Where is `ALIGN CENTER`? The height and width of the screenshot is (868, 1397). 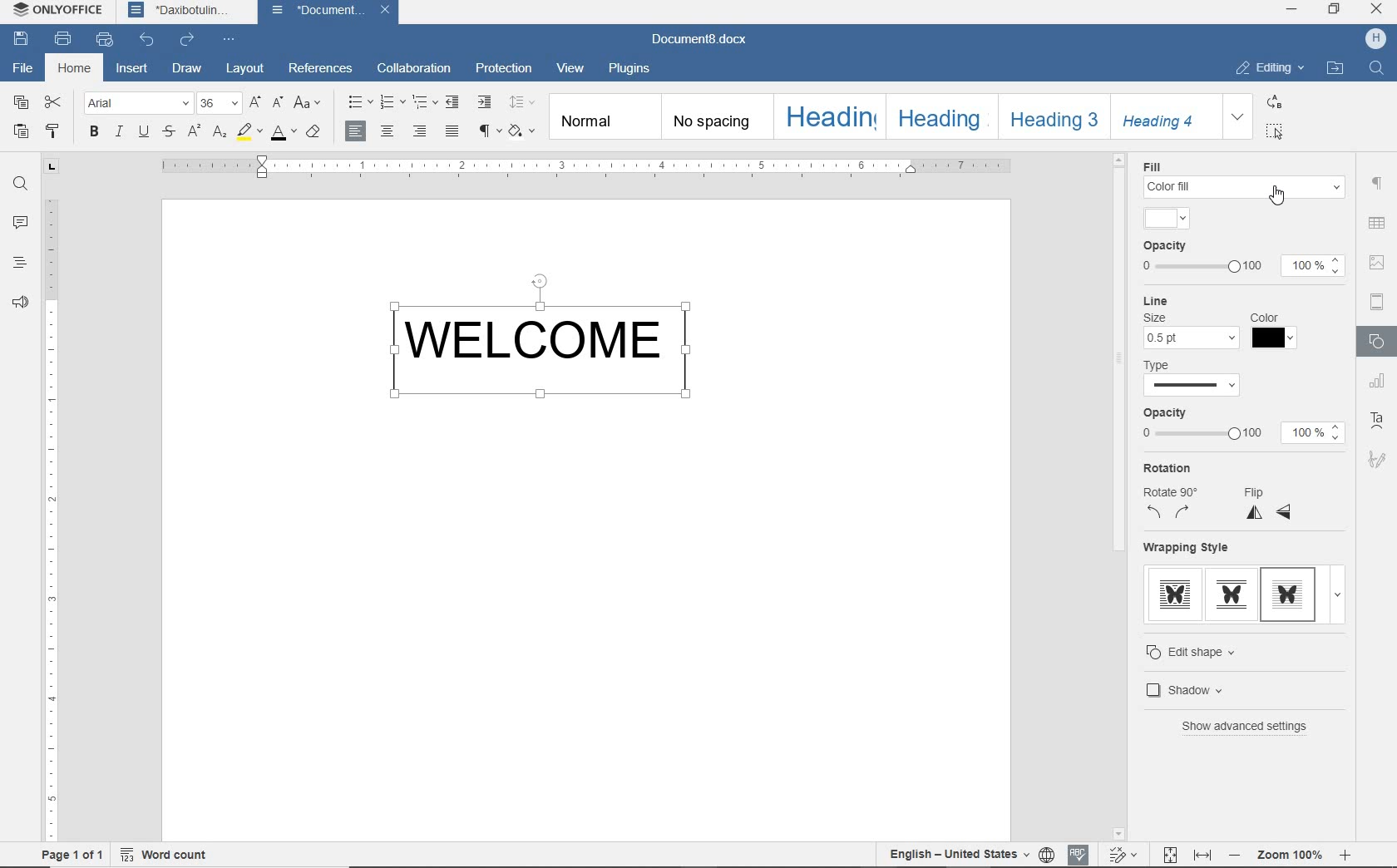
ALIGN CENTER is located at coordinates (388, 131).